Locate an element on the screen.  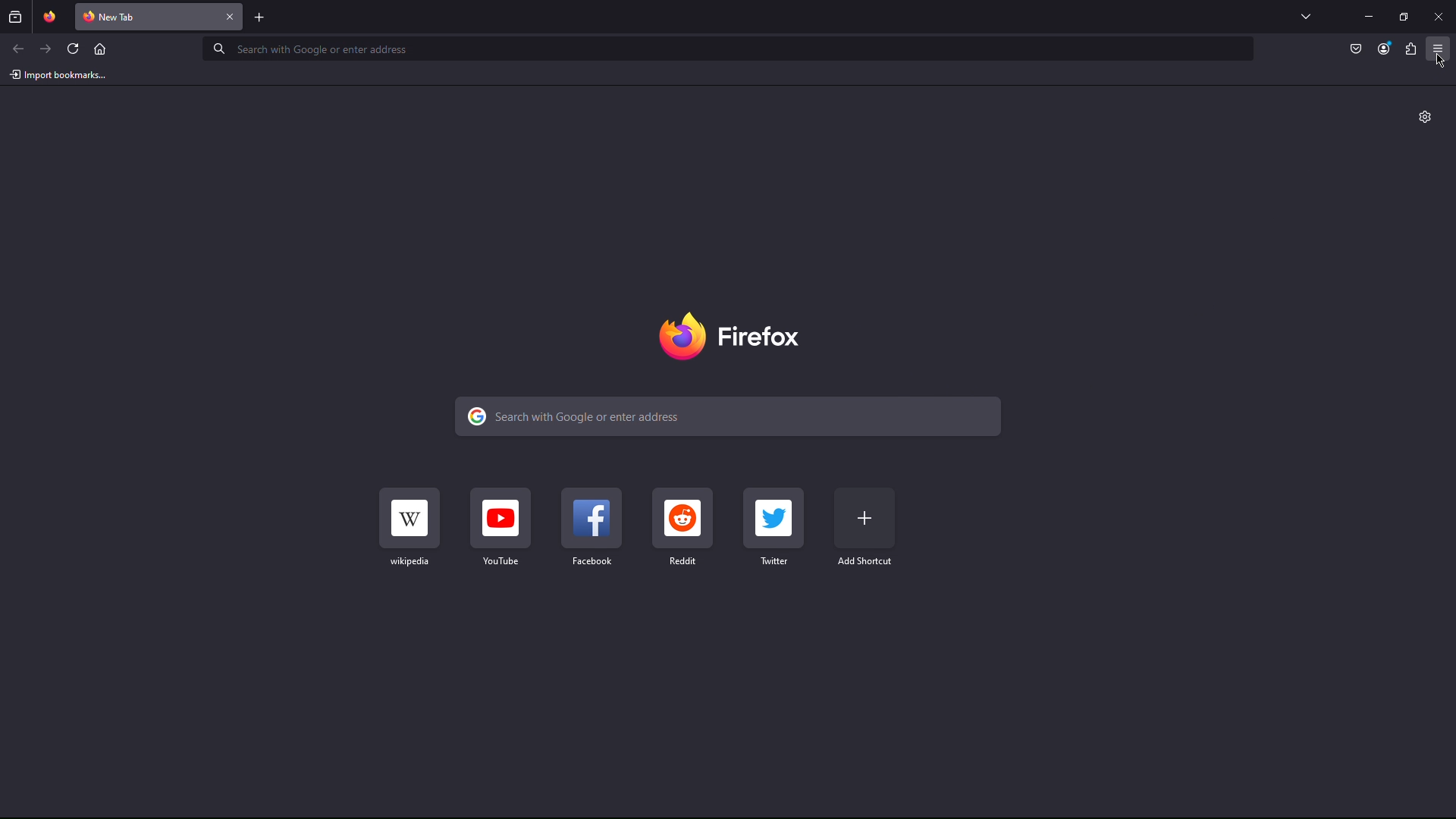
Refresh is located at coordinates (74, 48).